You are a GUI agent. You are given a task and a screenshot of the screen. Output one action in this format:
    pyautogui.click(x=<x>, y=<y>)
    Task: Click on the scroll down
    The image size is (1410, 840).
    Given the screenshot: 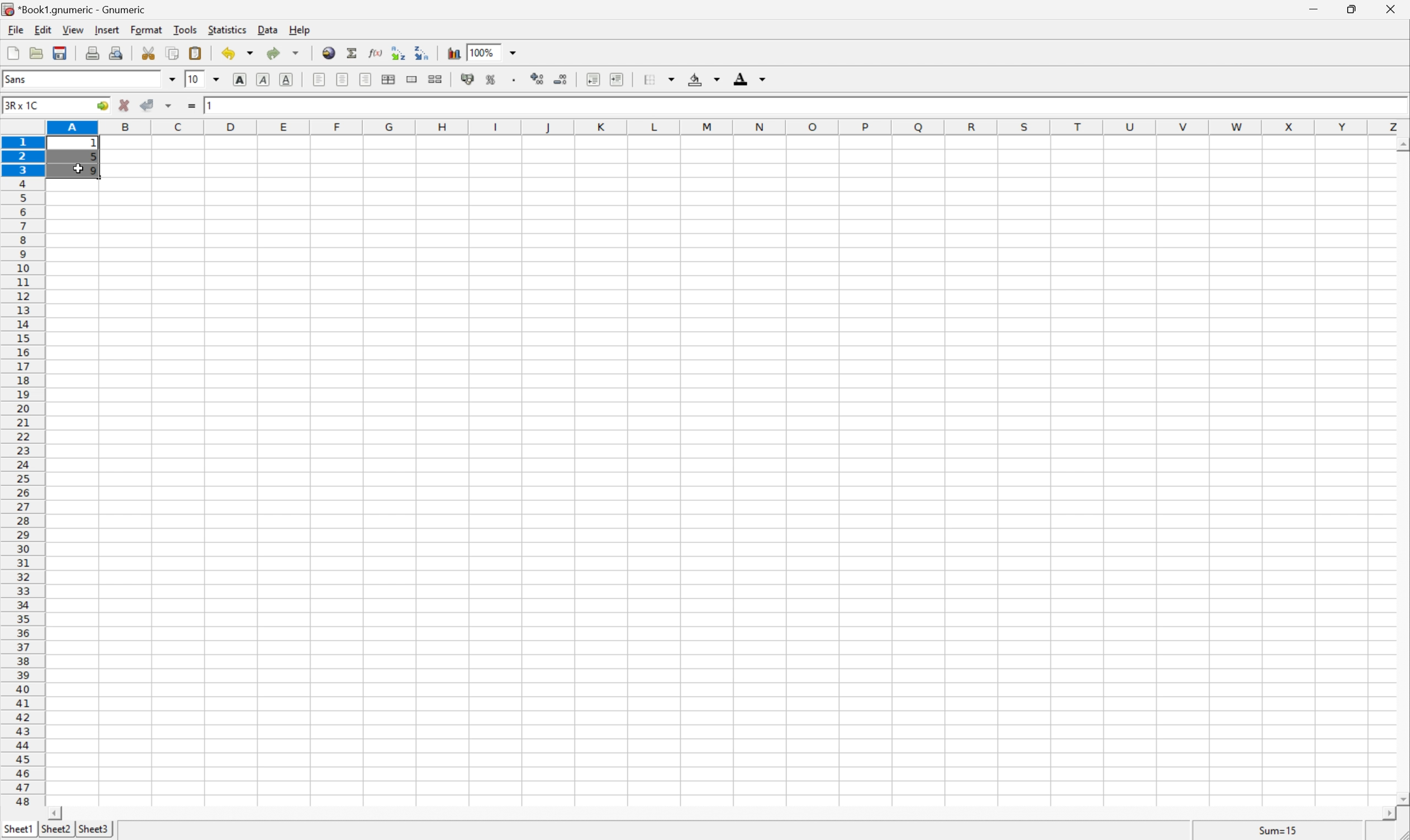 What is the action you would take?
    pyautogui.click(x=1401, y=798)
    